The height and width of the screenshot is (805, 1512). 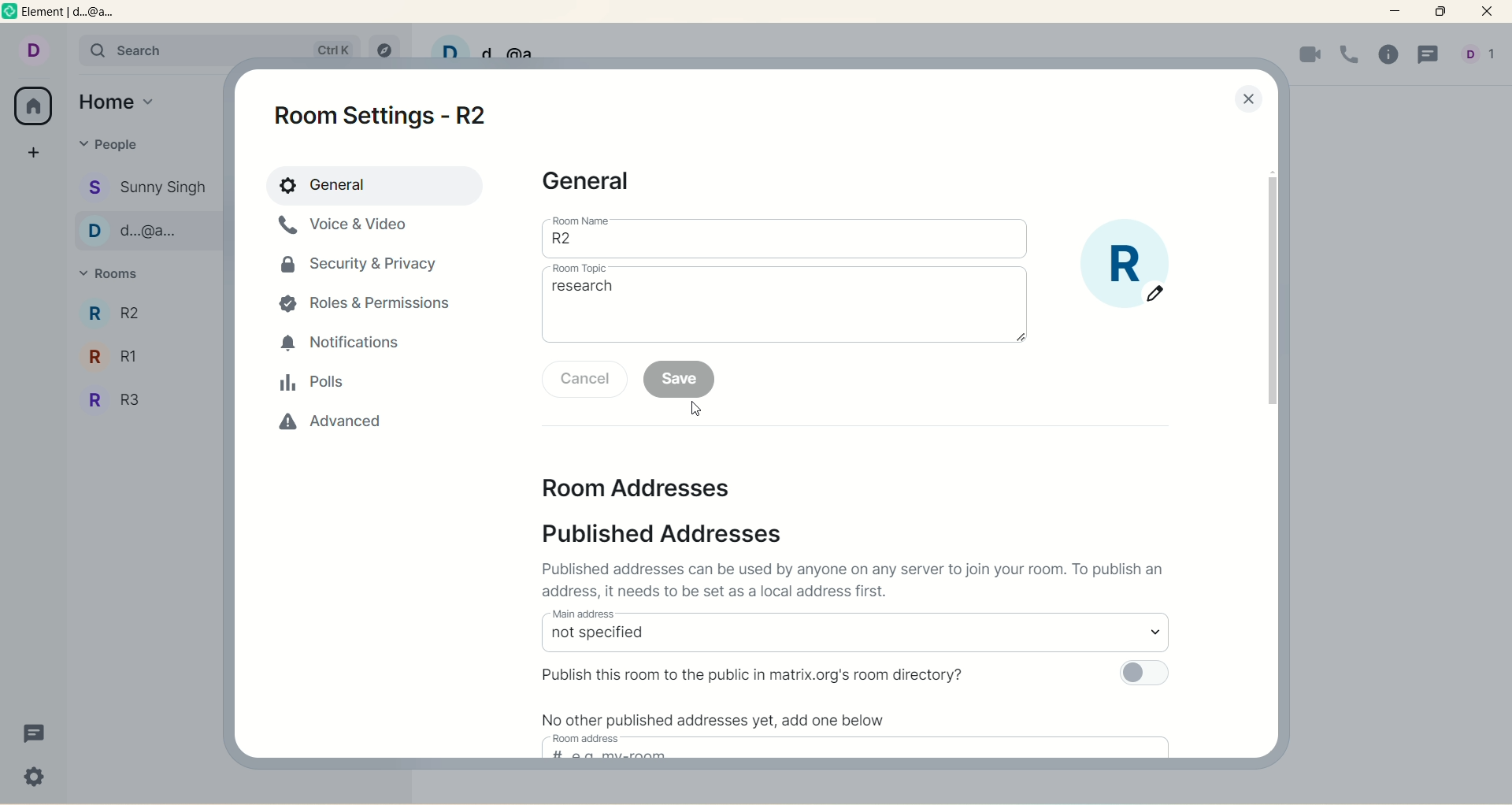 I want to click on create space, so click(x=34, y=152).